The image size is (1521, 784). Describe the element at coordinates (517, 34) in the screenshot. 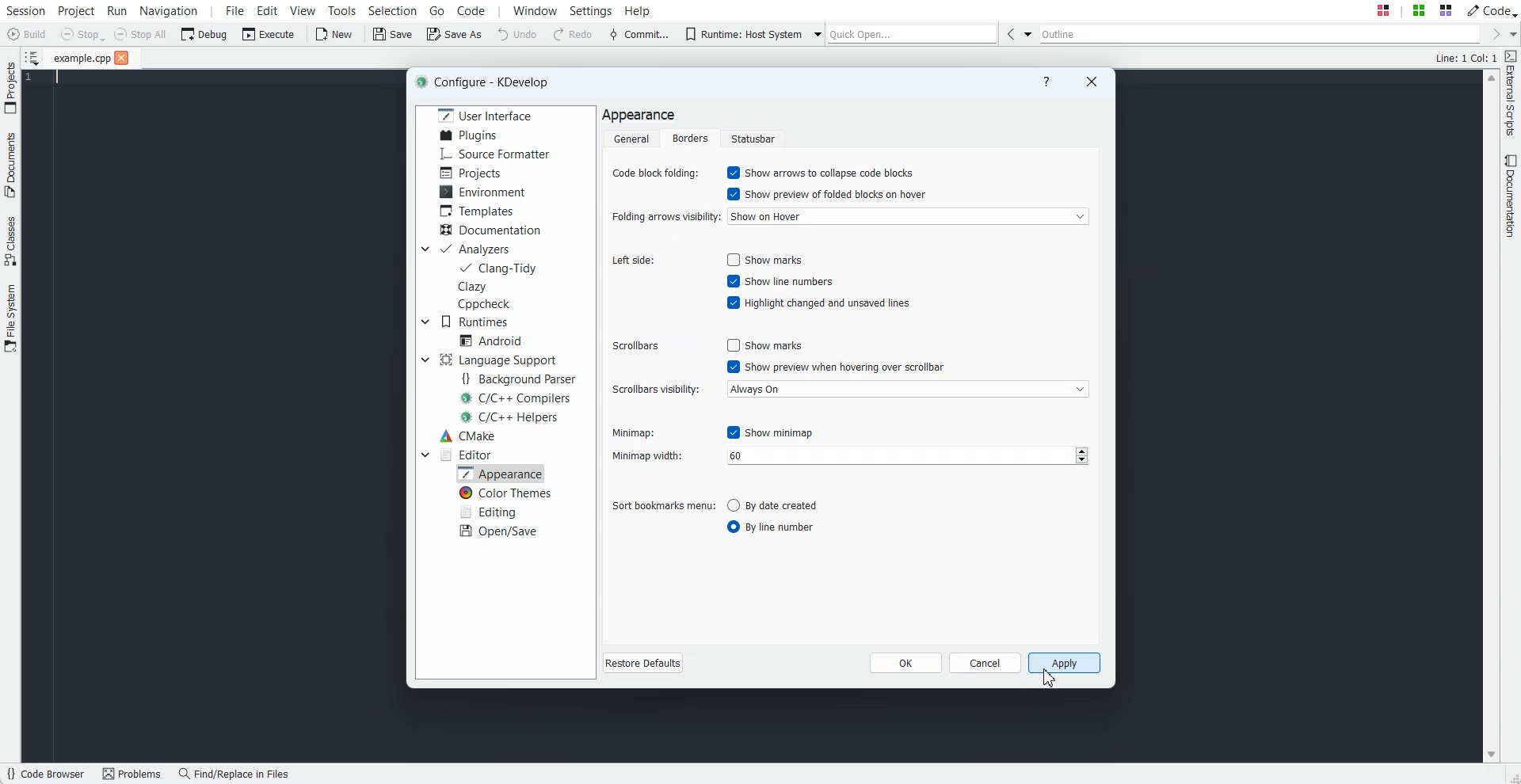

I see `Undo` at that location.